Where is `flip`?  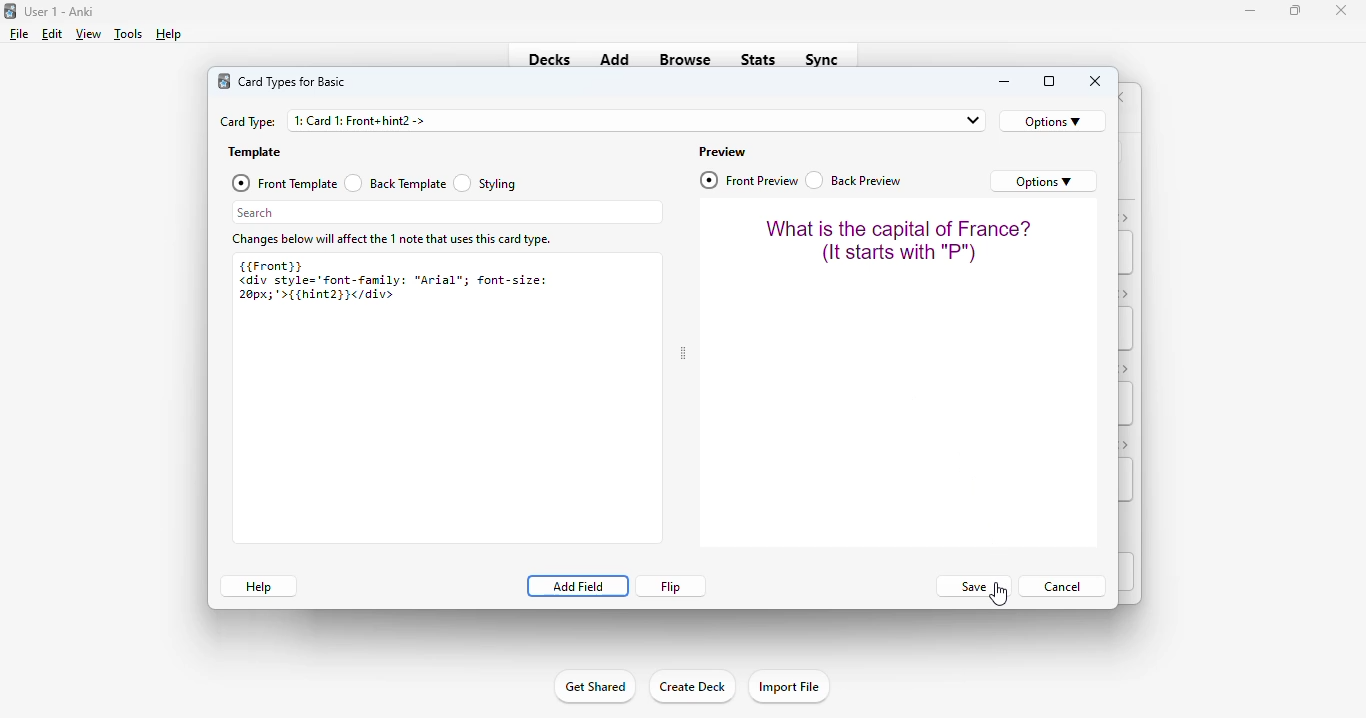
flip is located at coordinates (672, 586).